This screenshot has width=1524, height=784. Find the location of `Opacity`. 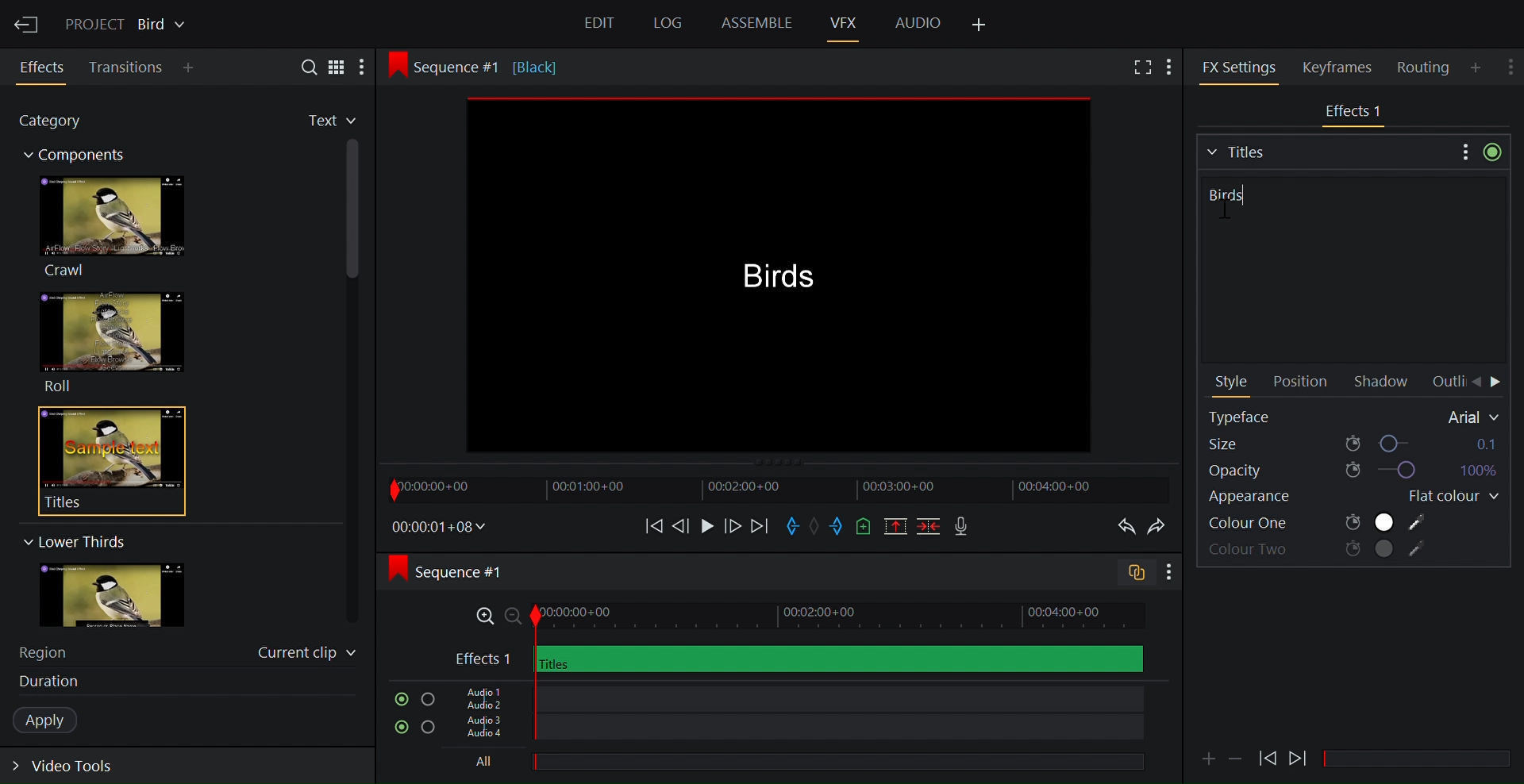

Opacity is located at coordinates (1351, 471).